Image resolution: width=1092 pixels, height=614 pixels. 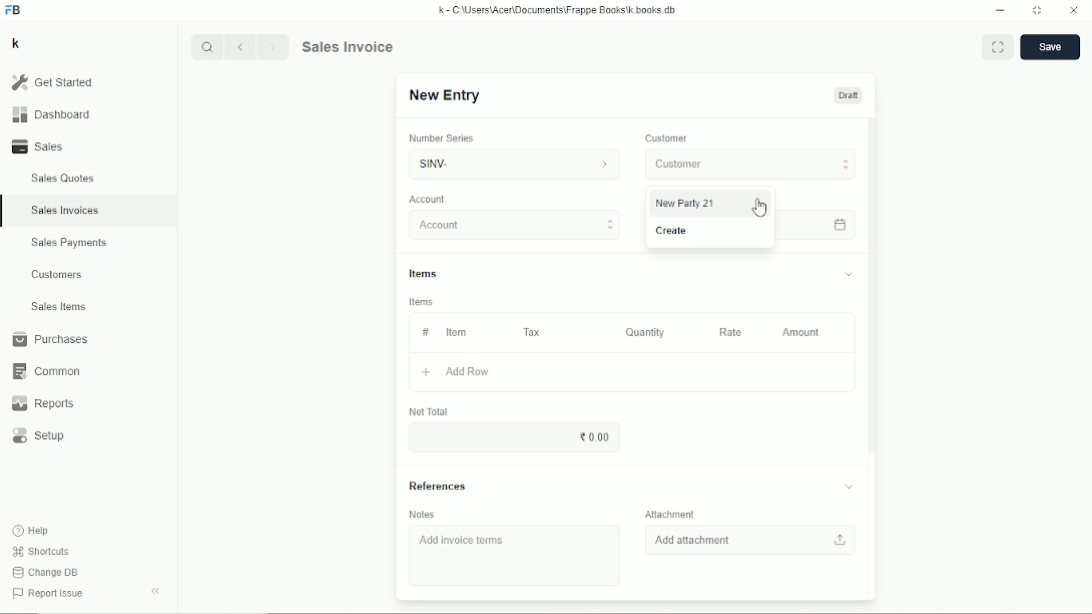 What do you see at coordinates (759, 207) in the screenshot?
I see `Cursor` at bounding box center [759, 207].